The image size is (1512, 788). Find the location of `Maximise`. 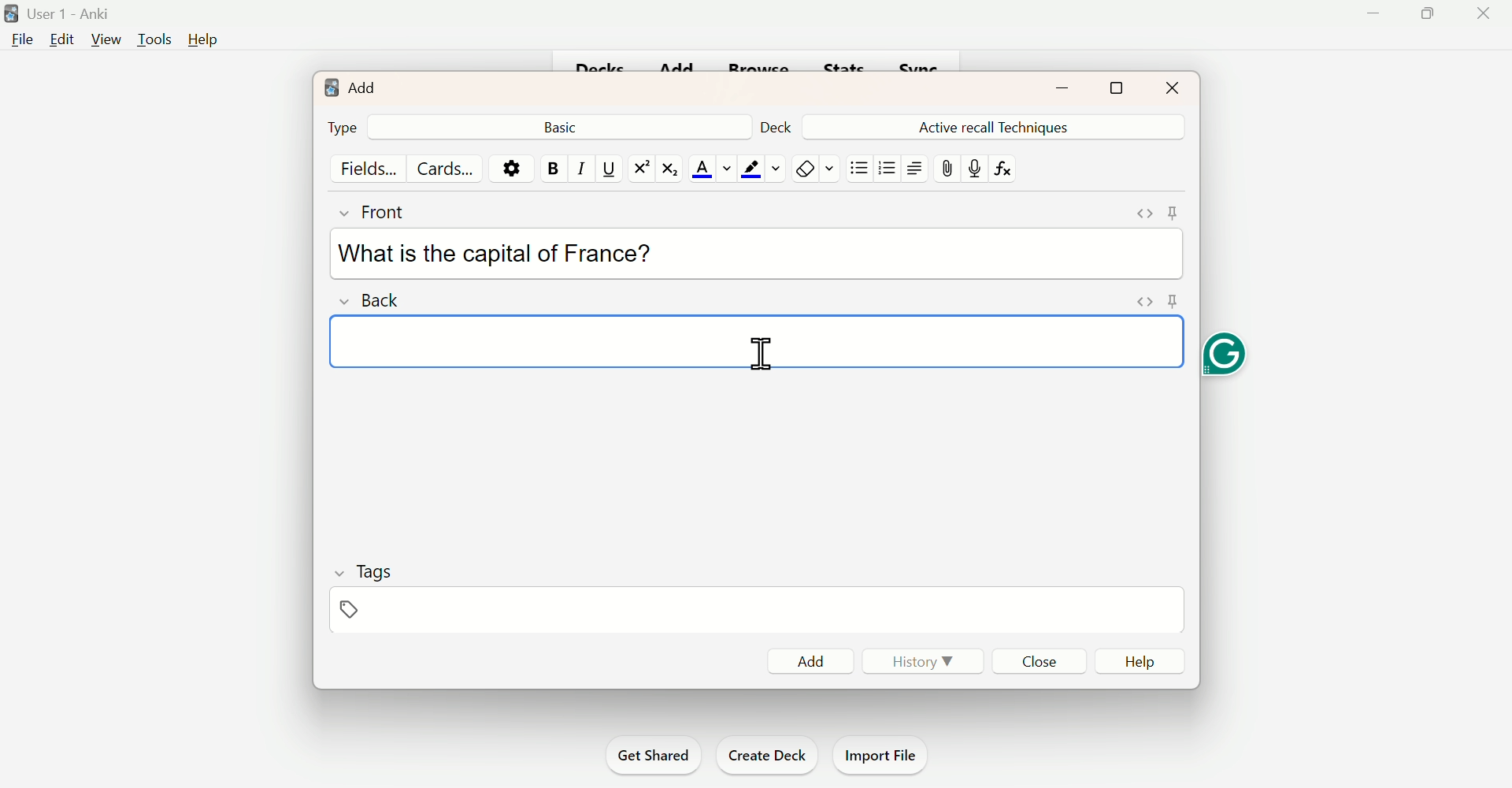

Maximise is located at coordinates (1126, 87).